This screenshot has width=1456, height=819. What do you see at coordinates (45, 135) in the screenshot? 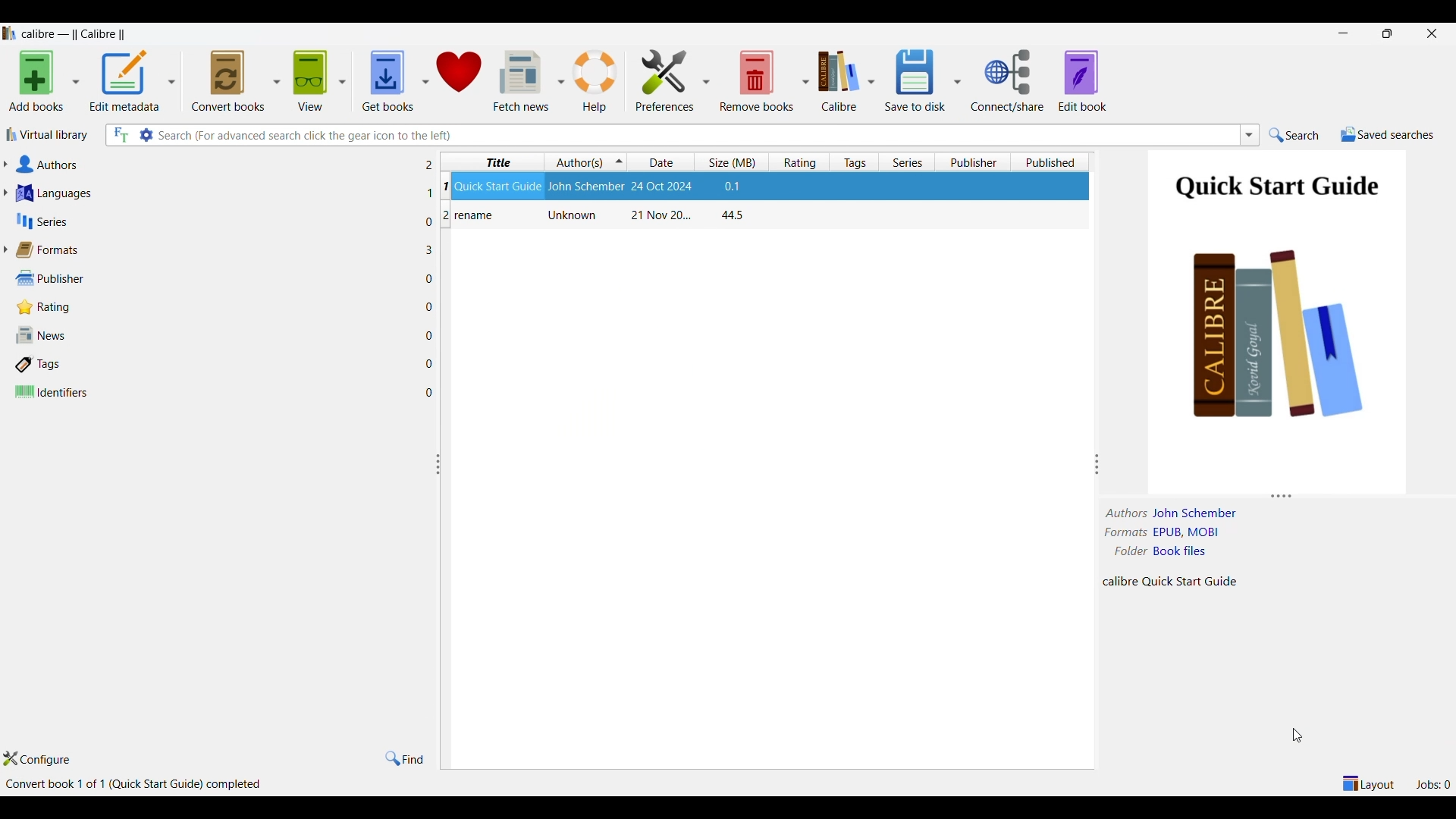
I see `Virtual library` at bounding box center [45, 135].